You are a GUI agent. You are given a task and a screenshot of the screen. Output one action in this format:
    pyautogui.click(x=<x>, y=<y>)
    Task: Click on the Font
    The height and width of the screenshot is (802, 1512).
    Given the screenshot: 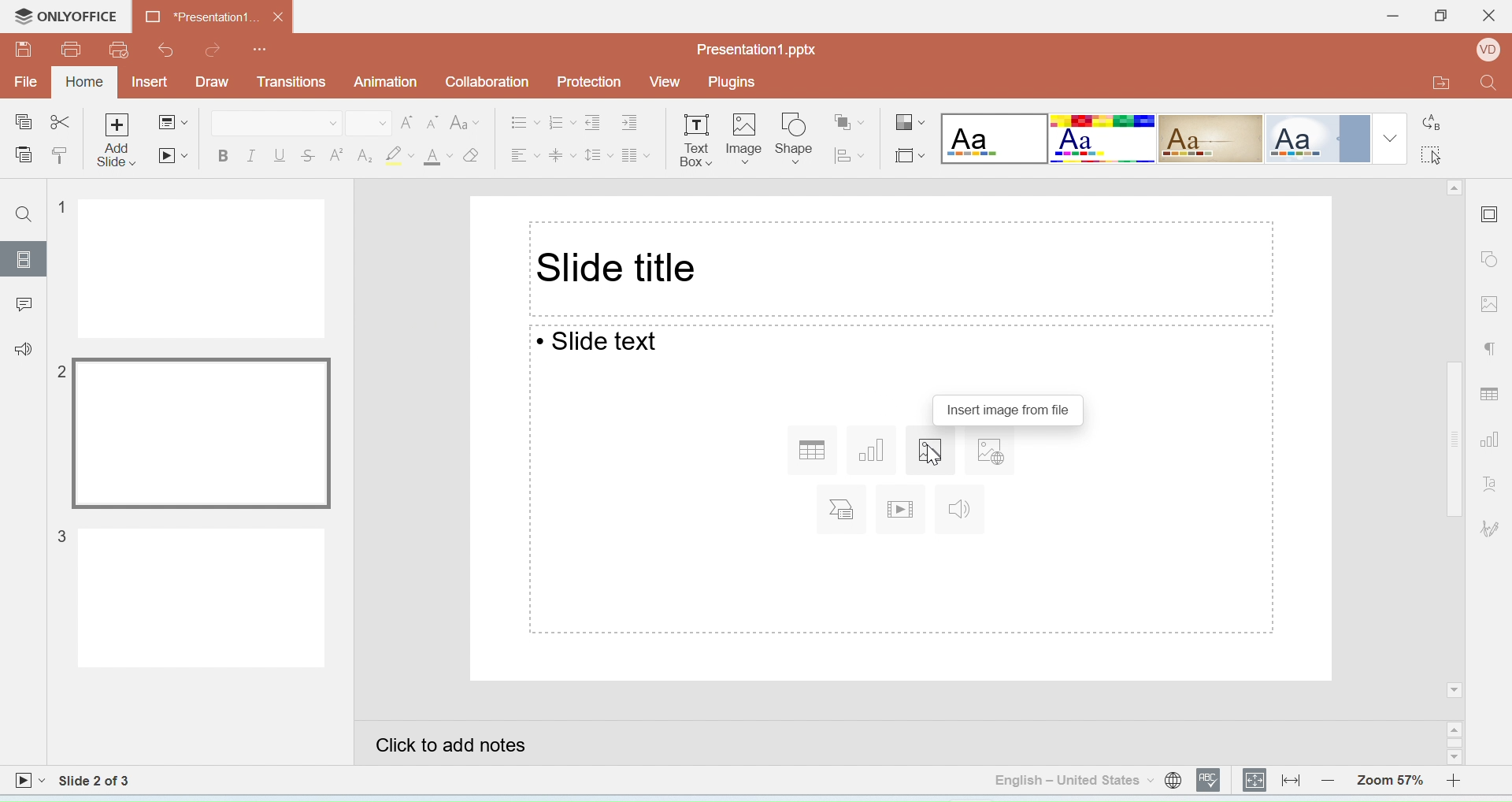 What is the action you would take?
    pyautogui.click(x=276, y=123)
    